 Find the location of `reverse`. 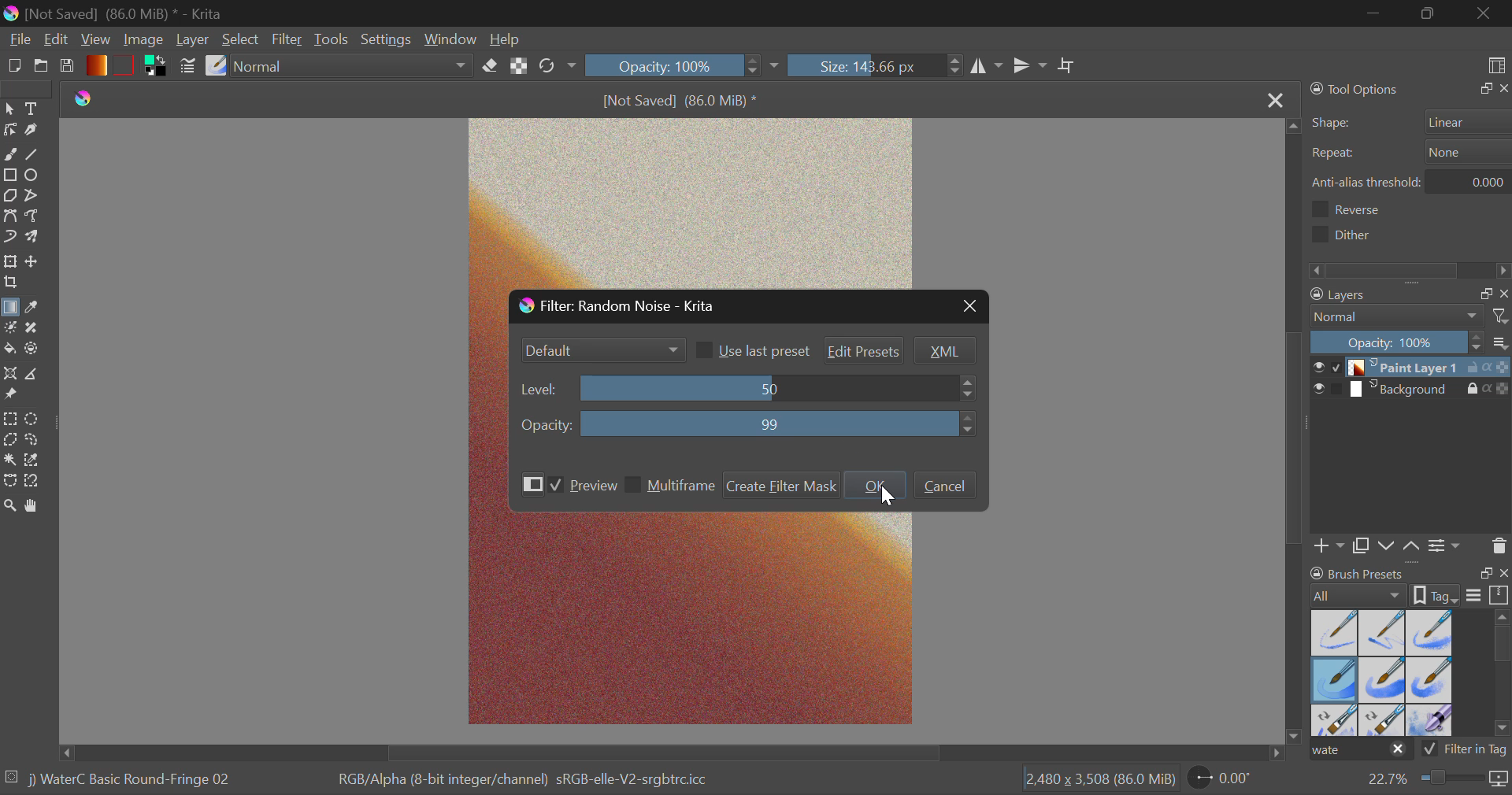

reverse is located at coordinates (1363, 209).